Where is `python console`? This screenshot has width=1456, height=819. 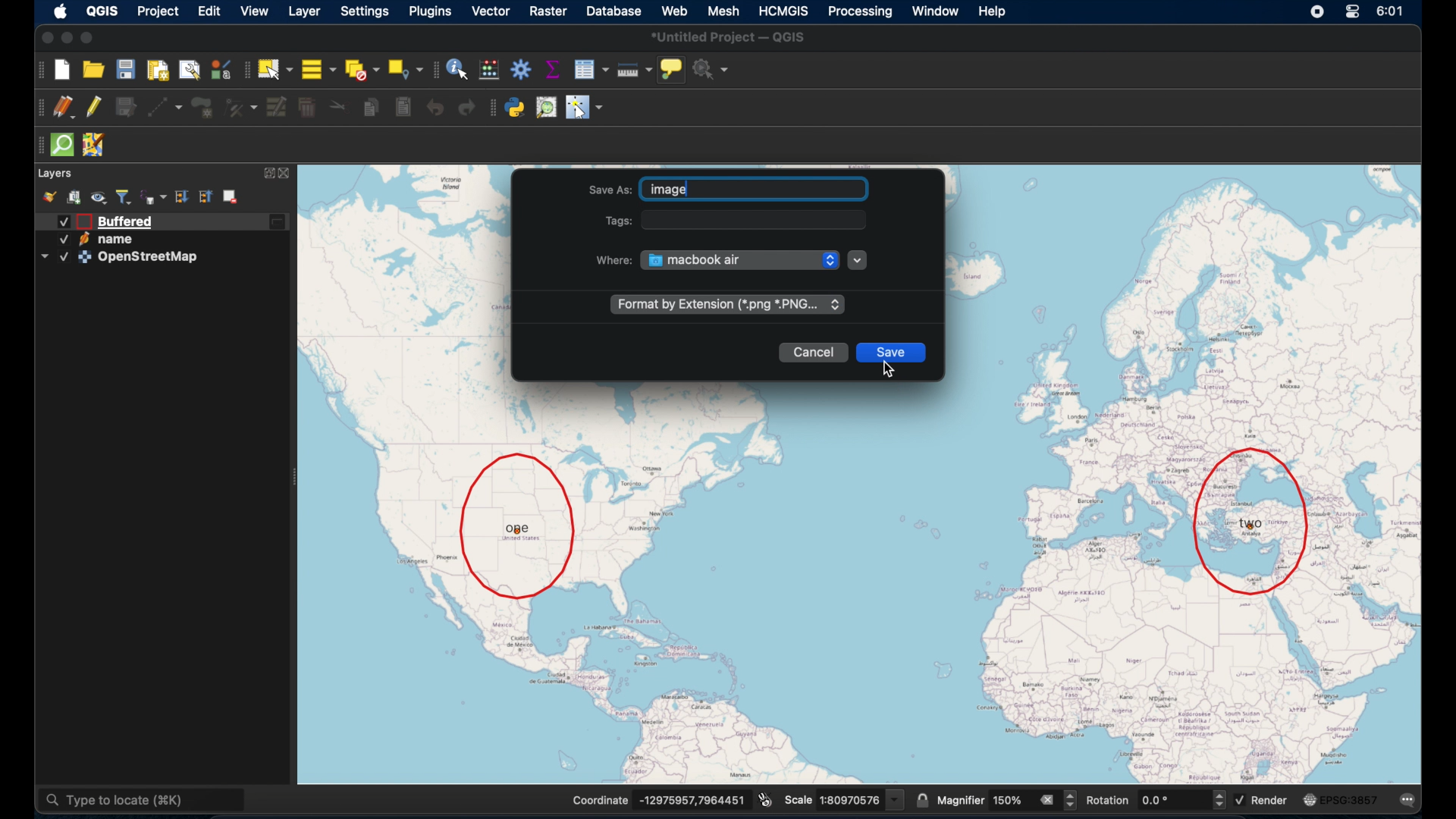 python console is located at coordinates (515, 108).